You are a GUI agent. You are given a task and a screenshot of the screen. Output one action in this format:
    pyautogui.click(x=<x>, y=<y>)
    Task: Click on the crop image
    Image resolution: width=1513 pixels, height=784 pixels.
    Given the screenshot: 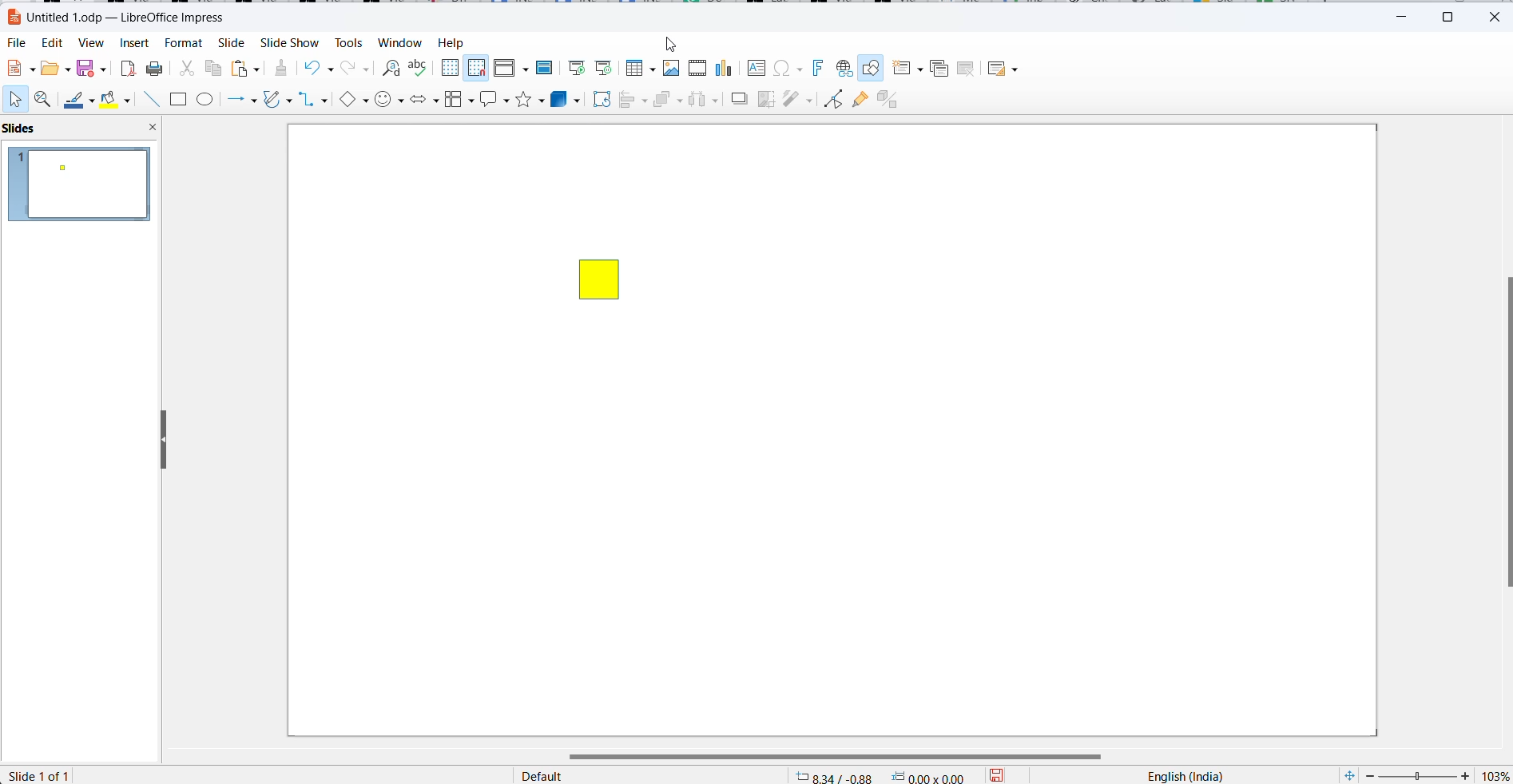 What is the action you would take?
    pyautogui.click(x=766, y=99)
    